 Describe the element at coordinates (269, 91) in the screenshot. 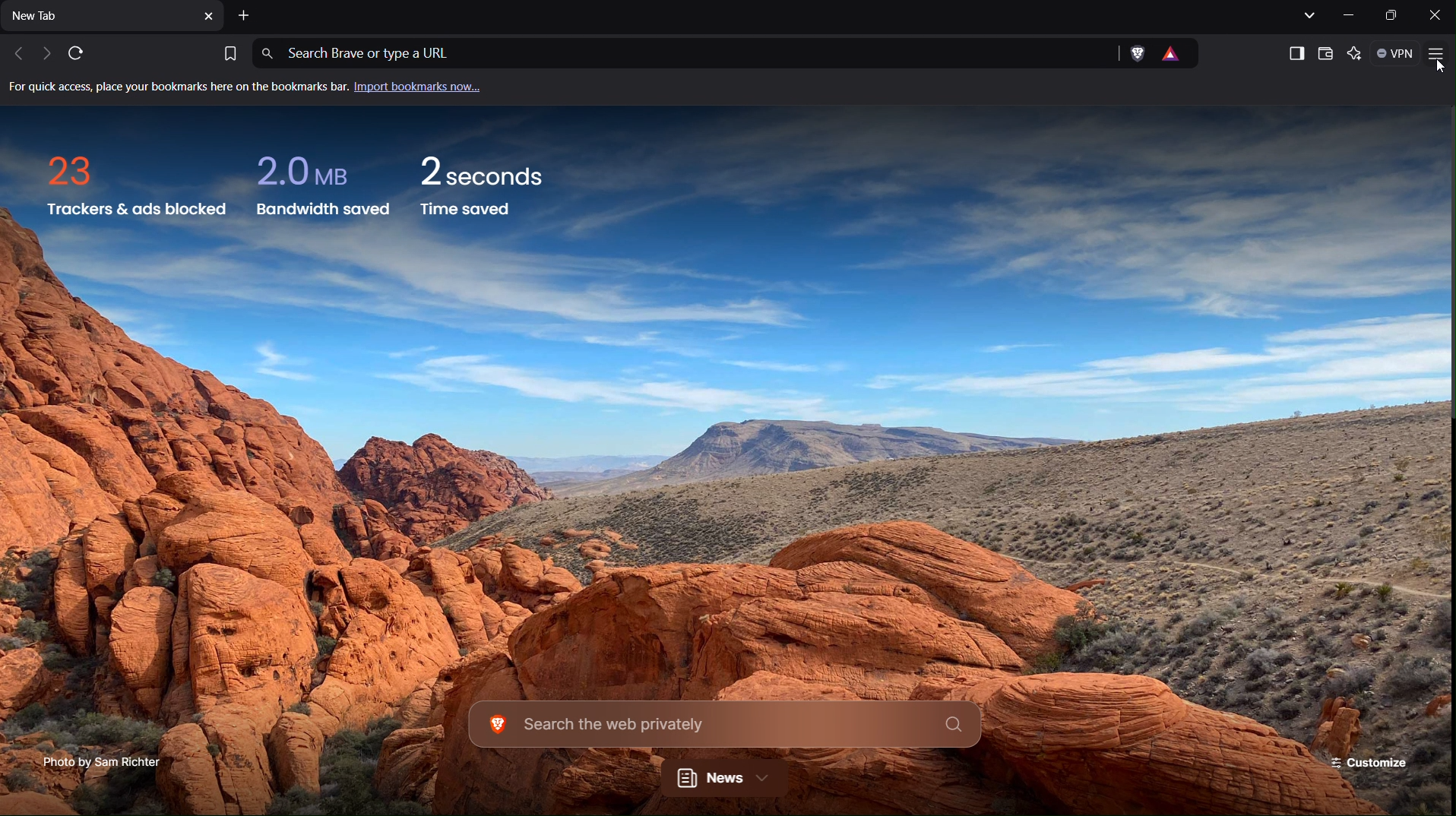

I see `Import bookmarks` at that location.